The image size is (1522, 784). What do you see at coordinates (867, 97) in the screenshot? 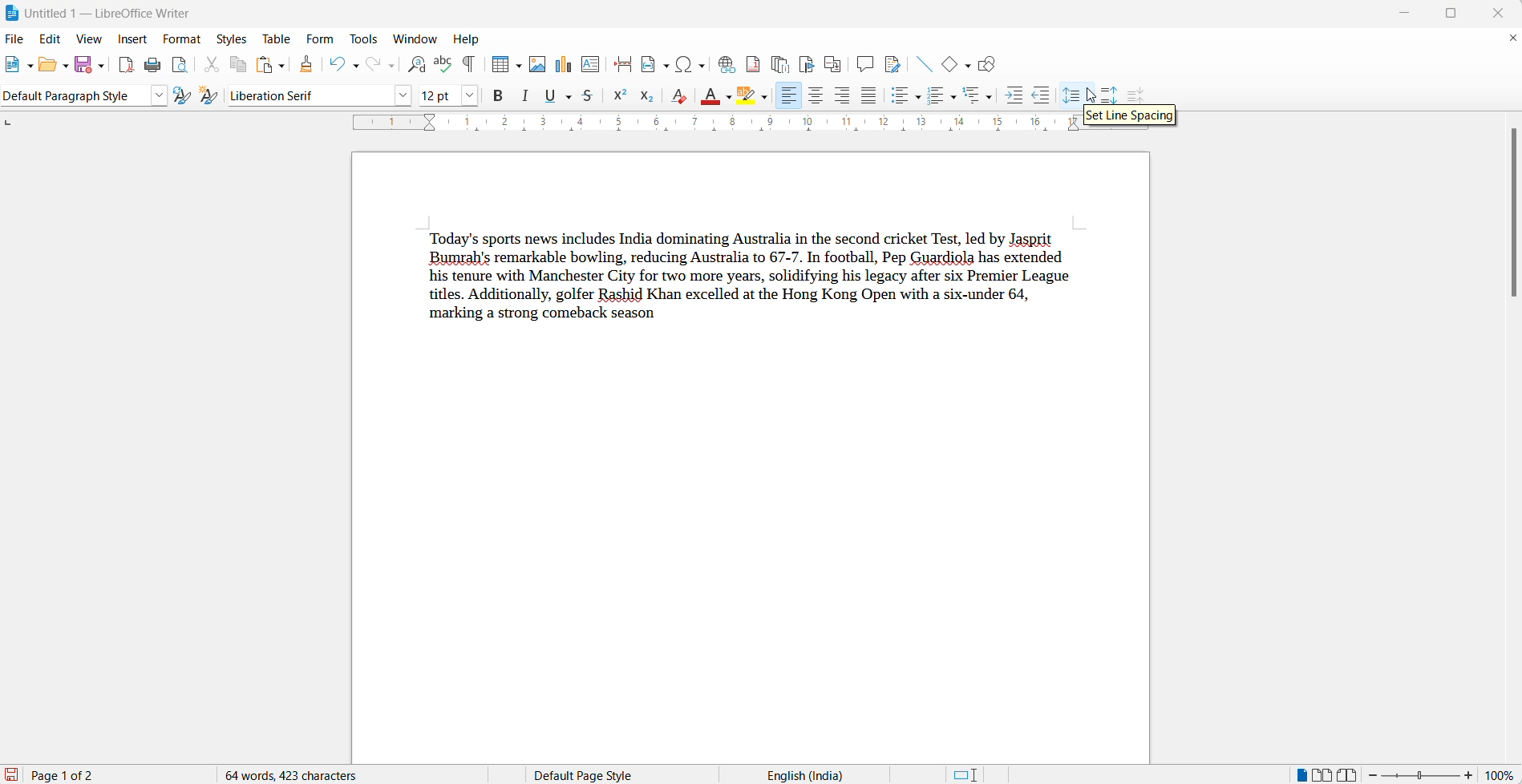
I see `justified` at bounding box center [867, 97].